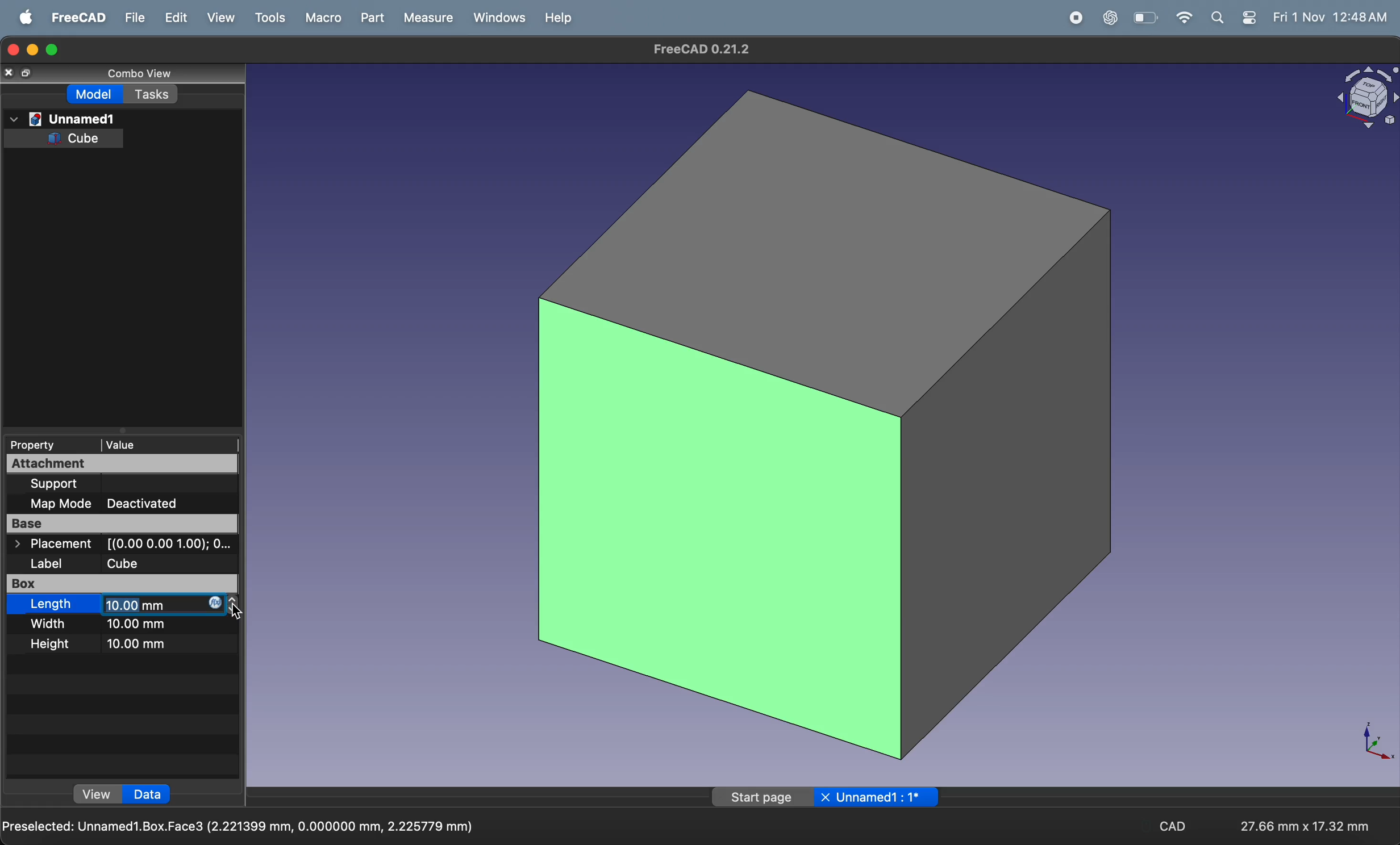 Image resolution: width=1400 pixels, height=845 pixels. I want to click on combo view, so click(143, 74).